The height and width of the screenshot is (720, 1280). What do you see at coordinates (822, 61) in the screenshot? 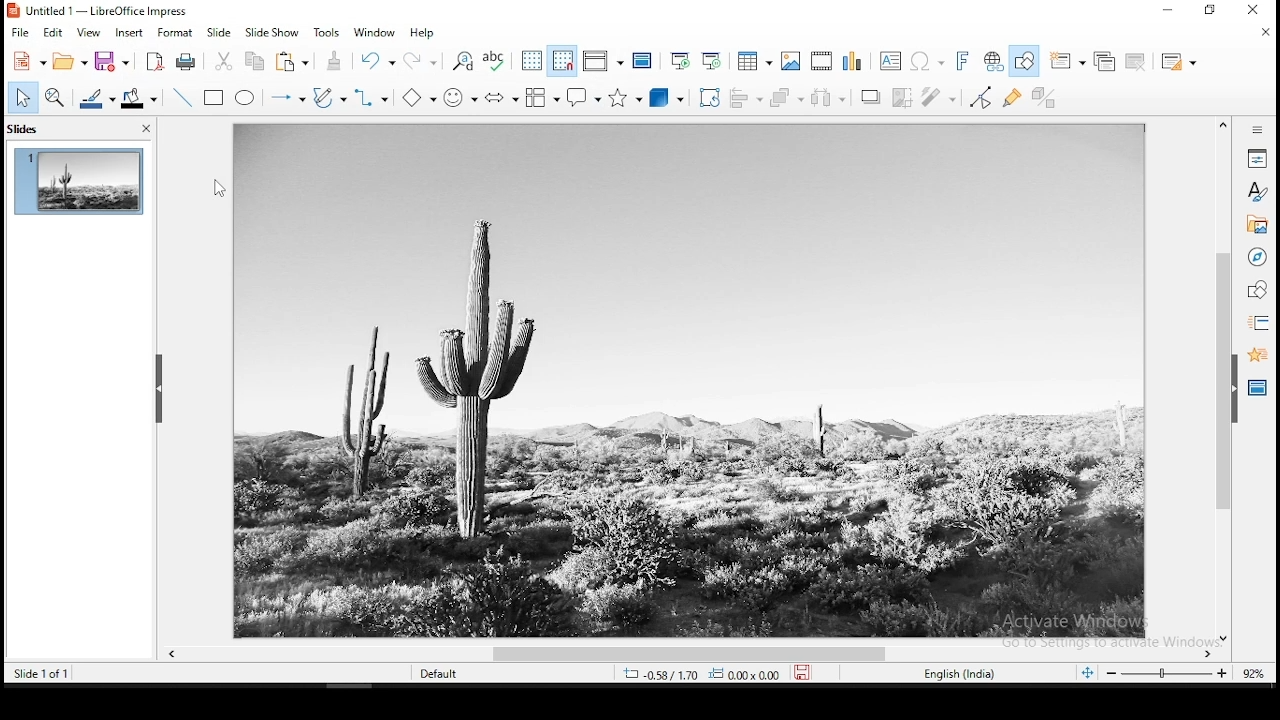
I see `insert audio and video` at bounding box center [822, 61].